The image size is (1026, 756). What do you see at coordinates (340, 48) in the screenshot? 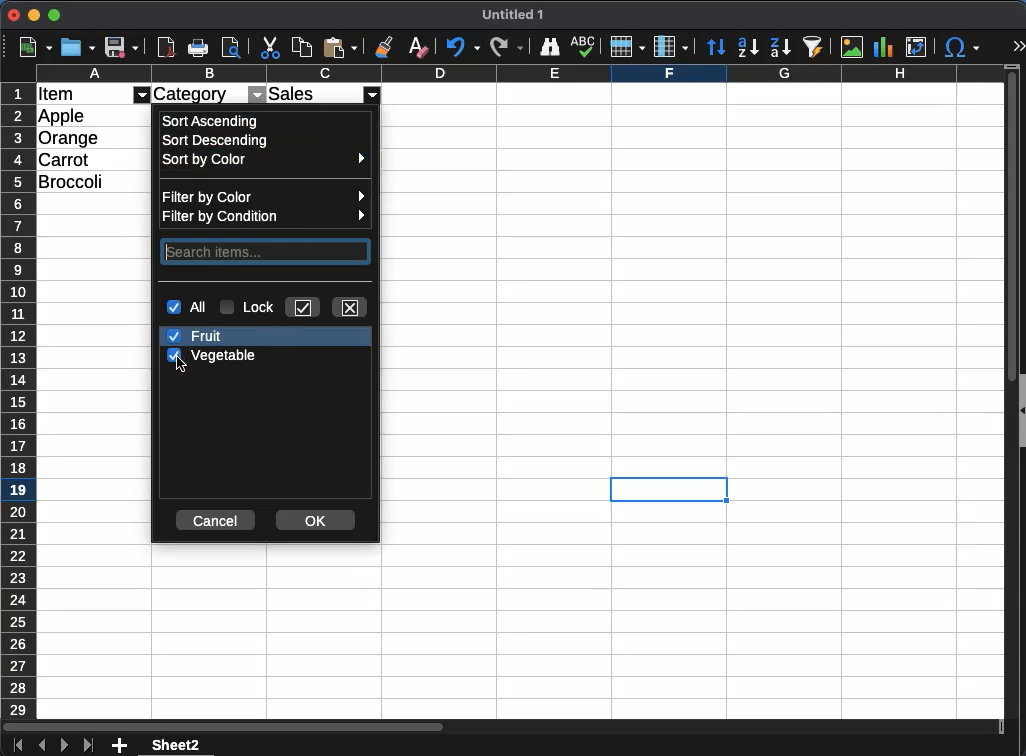
I see `paste` at bounding box center [340, 48].